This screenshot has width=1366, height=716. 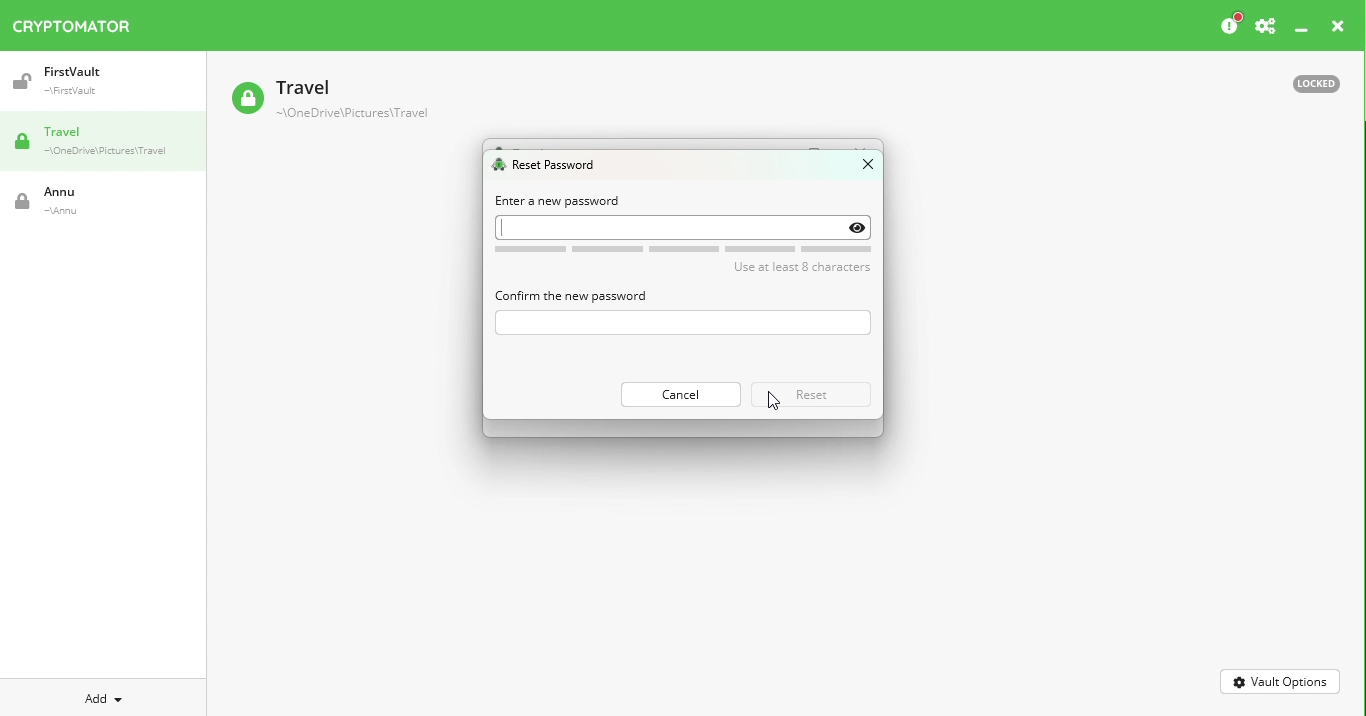 I want to click on Reset, so click(x=813, y=394).